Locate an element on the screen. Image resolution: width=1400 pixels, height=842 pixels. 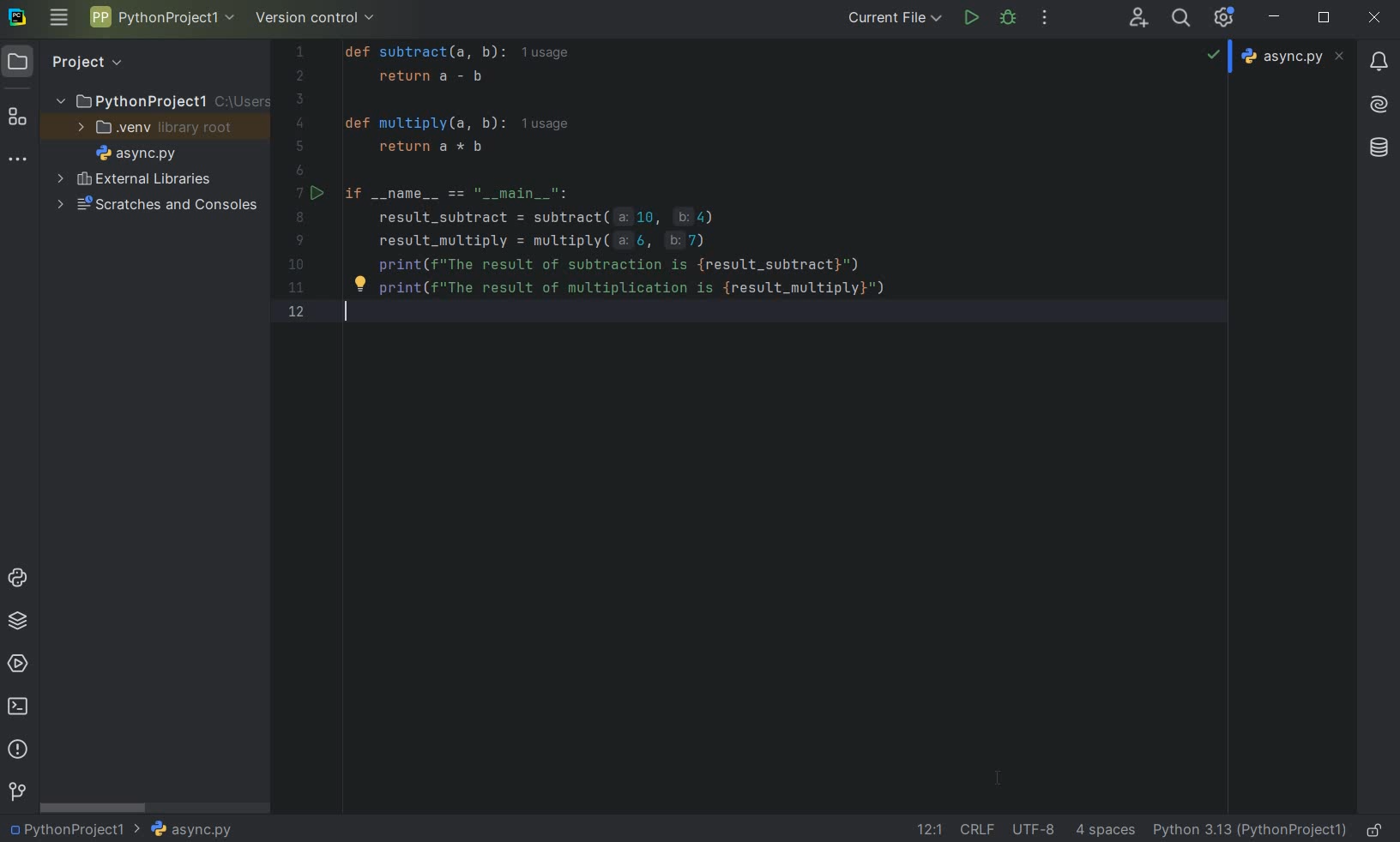
.venv is located at coordinates (124, 129).